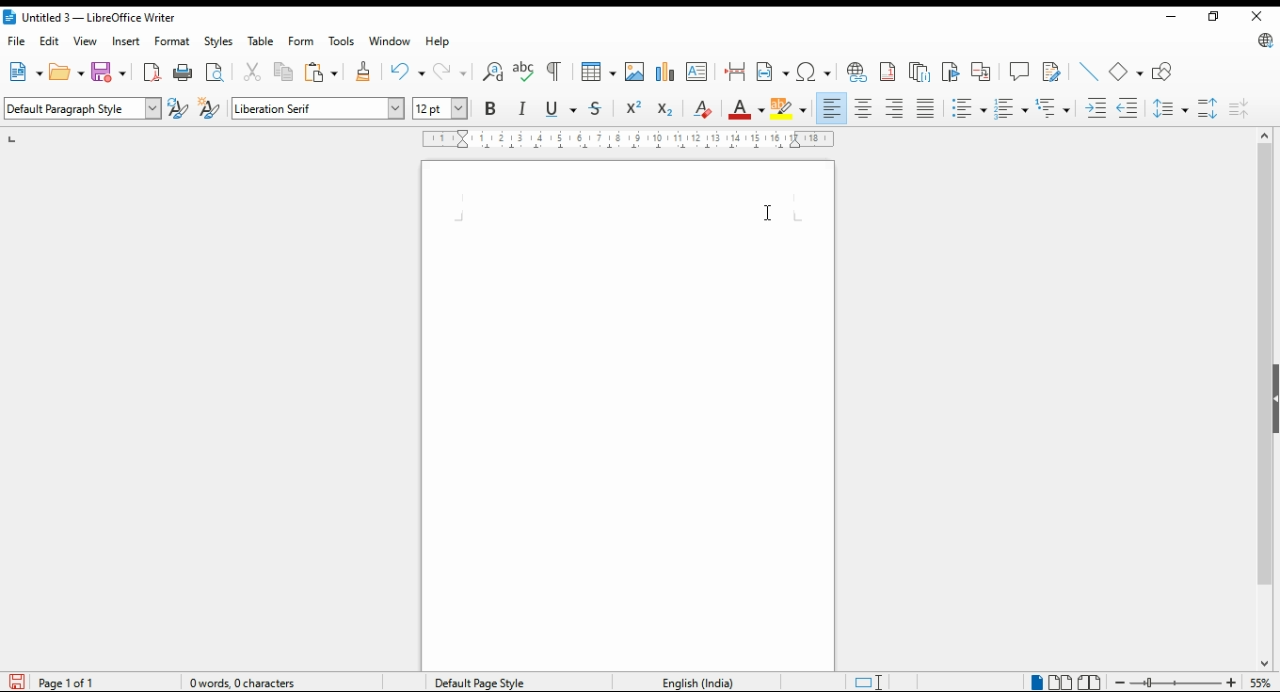  I want to click on insert textbox, so click(697, 71).